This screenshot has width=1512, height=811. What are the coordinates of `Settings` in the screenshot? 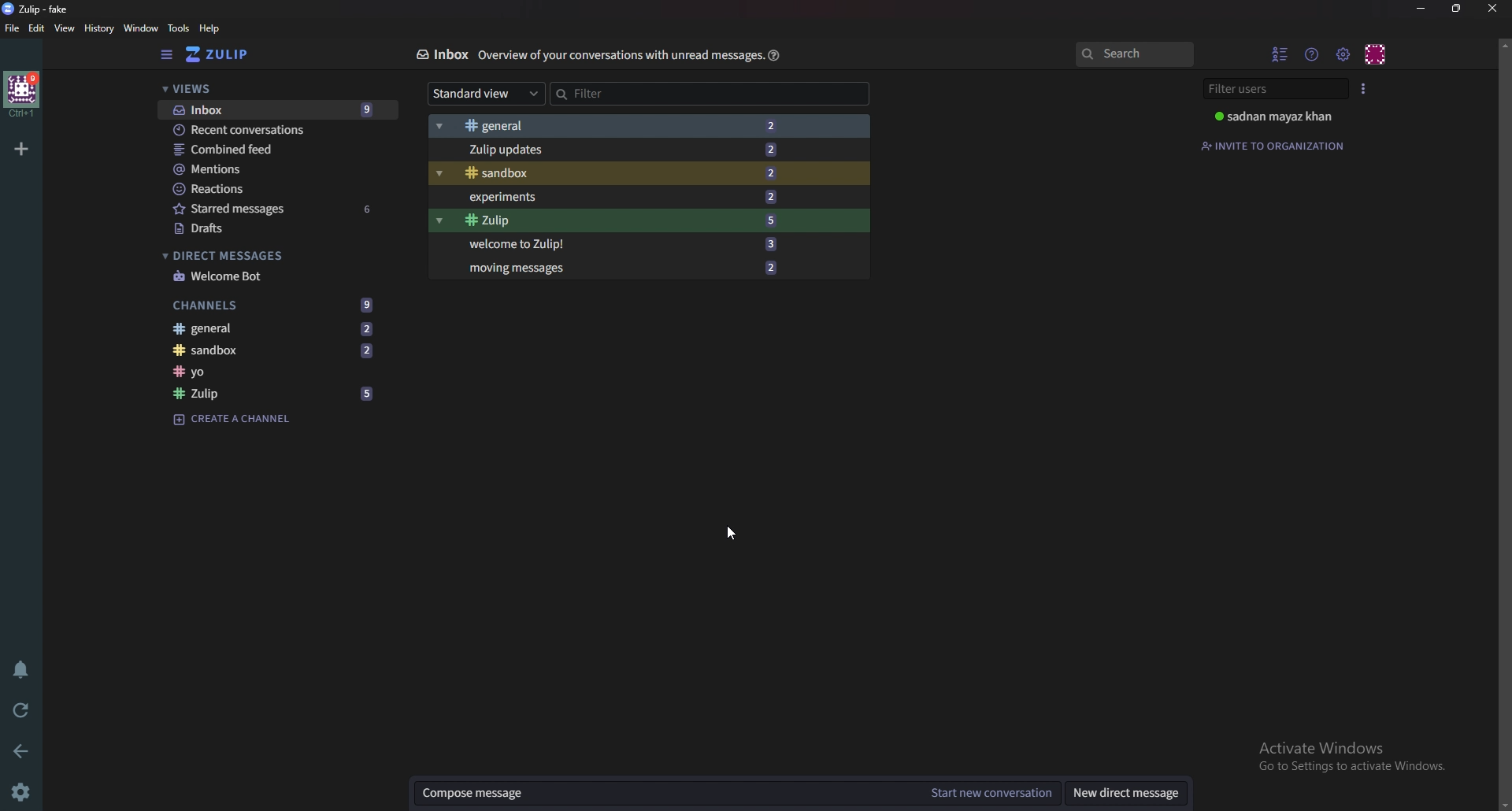 It's located at (21, 791).